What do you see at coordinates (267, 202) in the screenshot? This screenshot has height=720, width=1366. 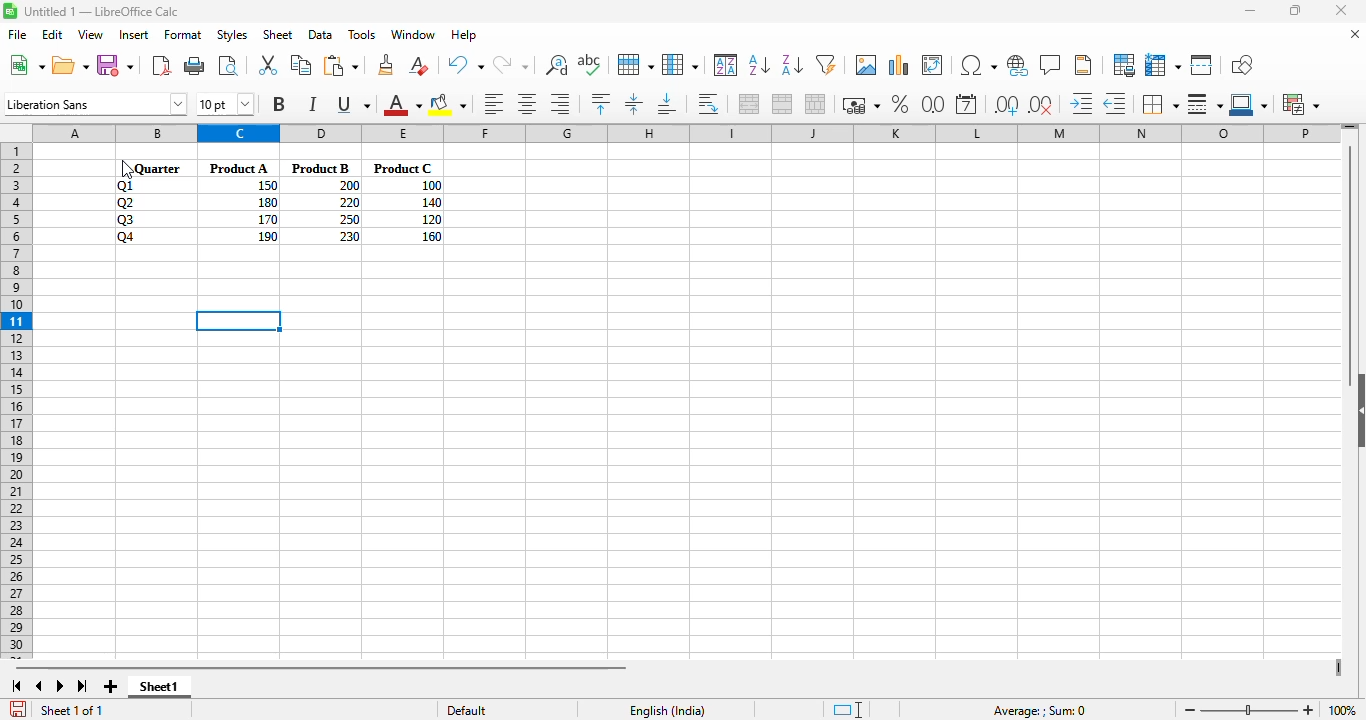 I see `180` at bounding box center [267, 202].